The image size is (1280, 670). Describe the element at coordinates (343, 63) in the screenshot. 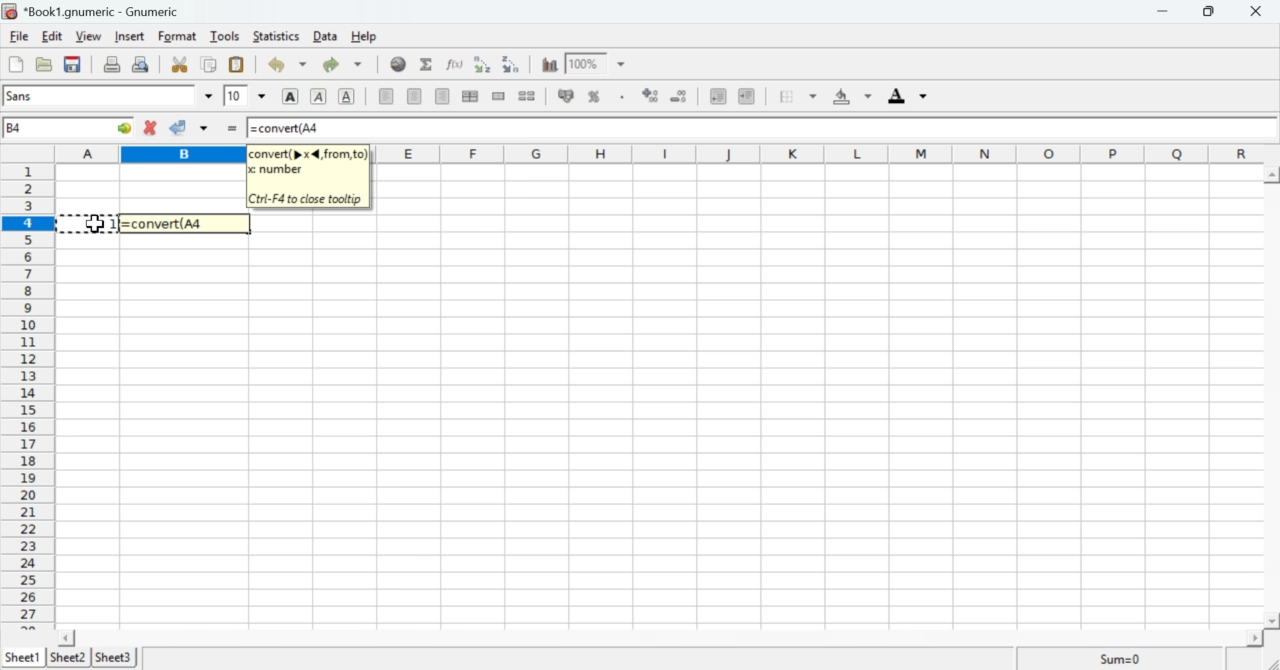

I see `Redo` at that location.